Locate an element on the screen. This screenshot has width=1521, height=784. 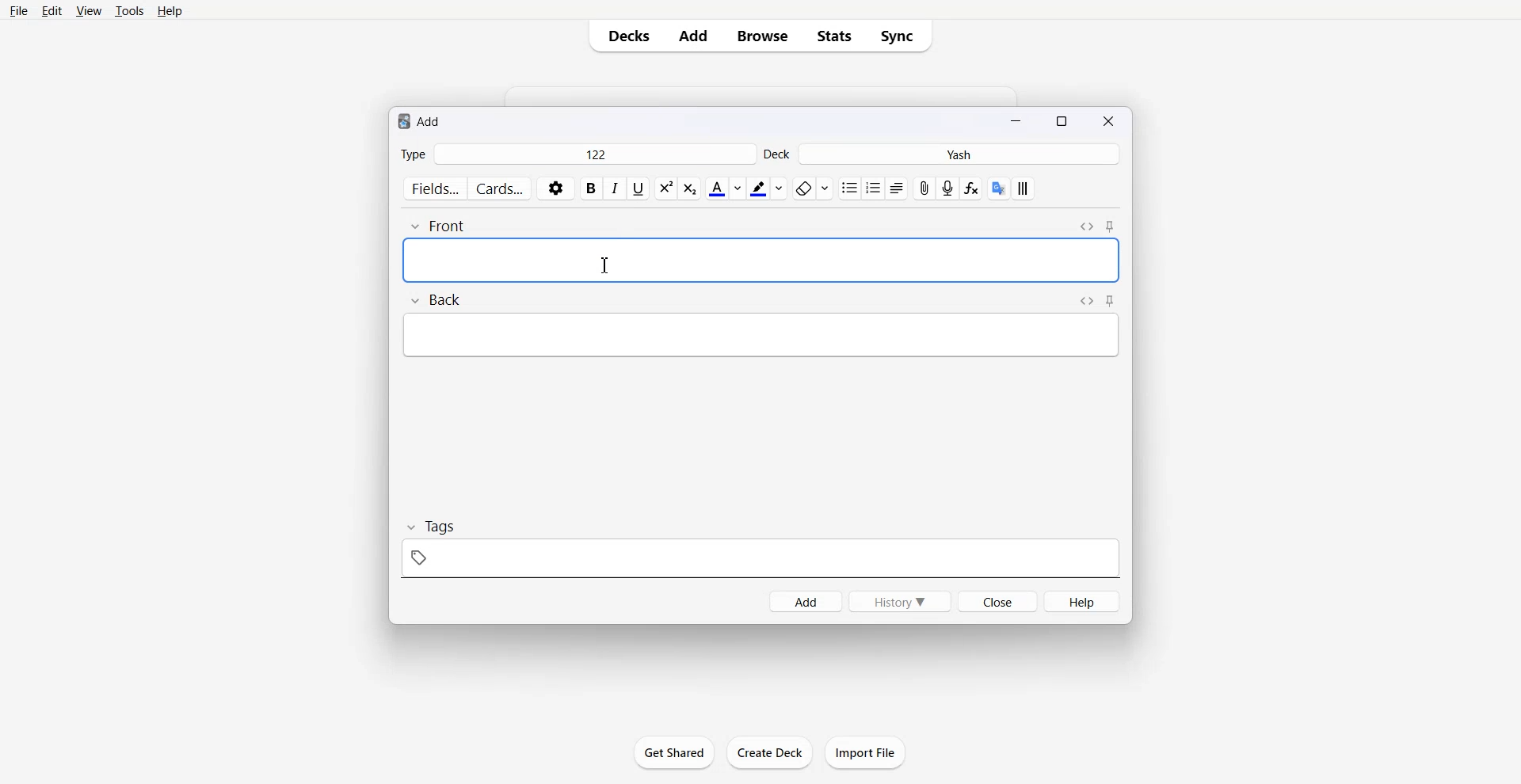
Translate google is located at coordinates (997, 188).